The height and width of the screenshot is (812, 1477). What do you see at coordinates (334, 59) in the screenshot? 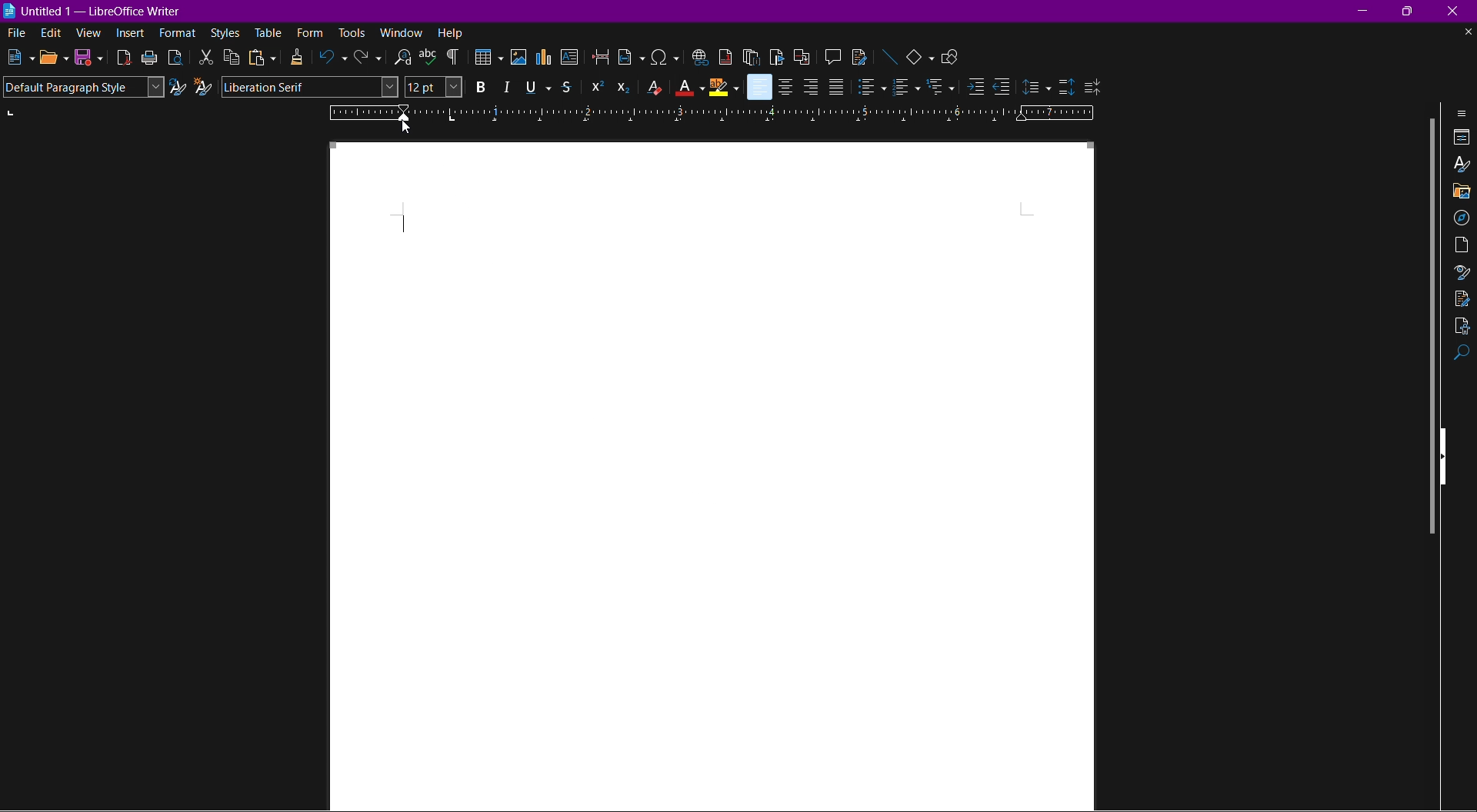
I see `Undo` at bounding box center [334, 59].